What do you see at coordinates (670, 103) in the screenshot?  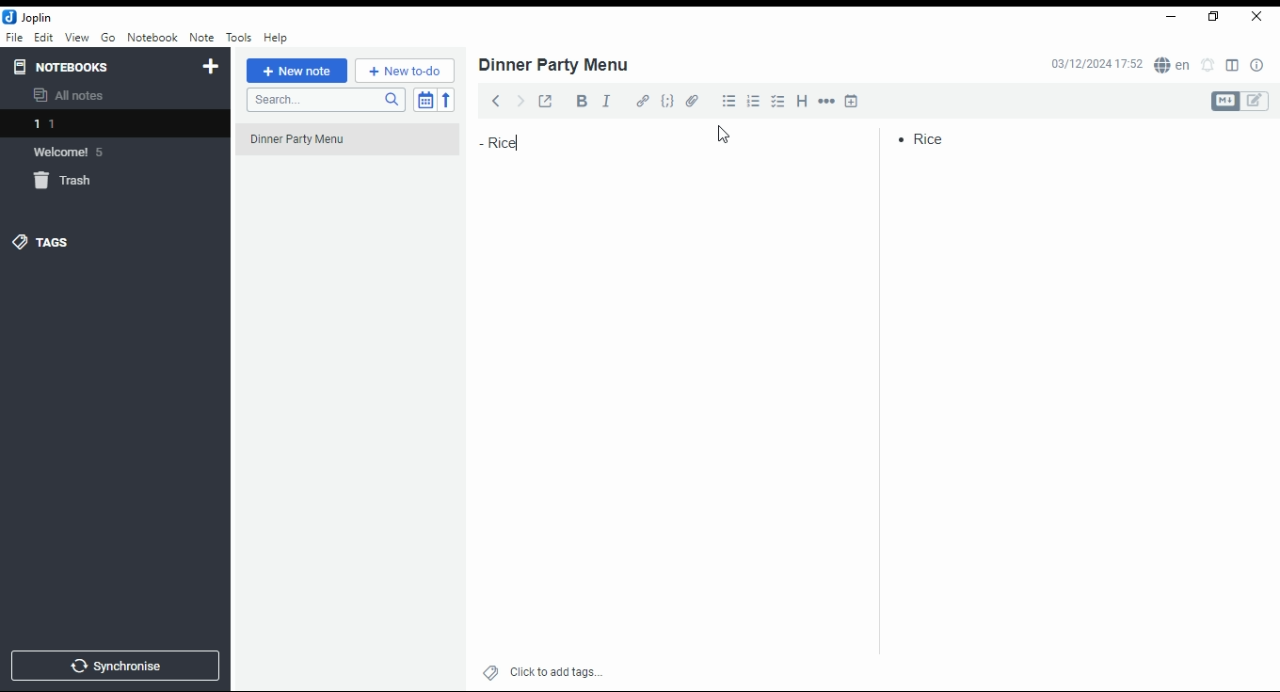 I see `code` at bounding box center [670, 103].